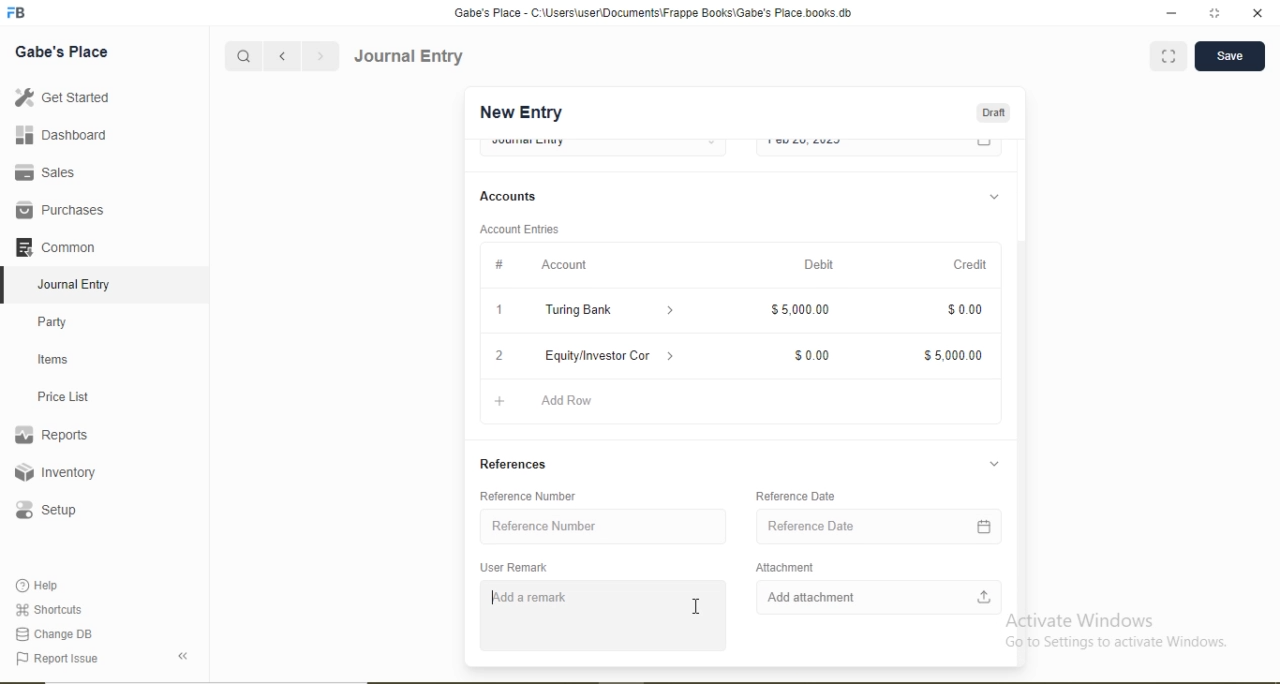 The height and width of the screenshot is (684, 1280). Describe the element at coordinates (500, 401) in the screenshot. I see `Add` at that location.